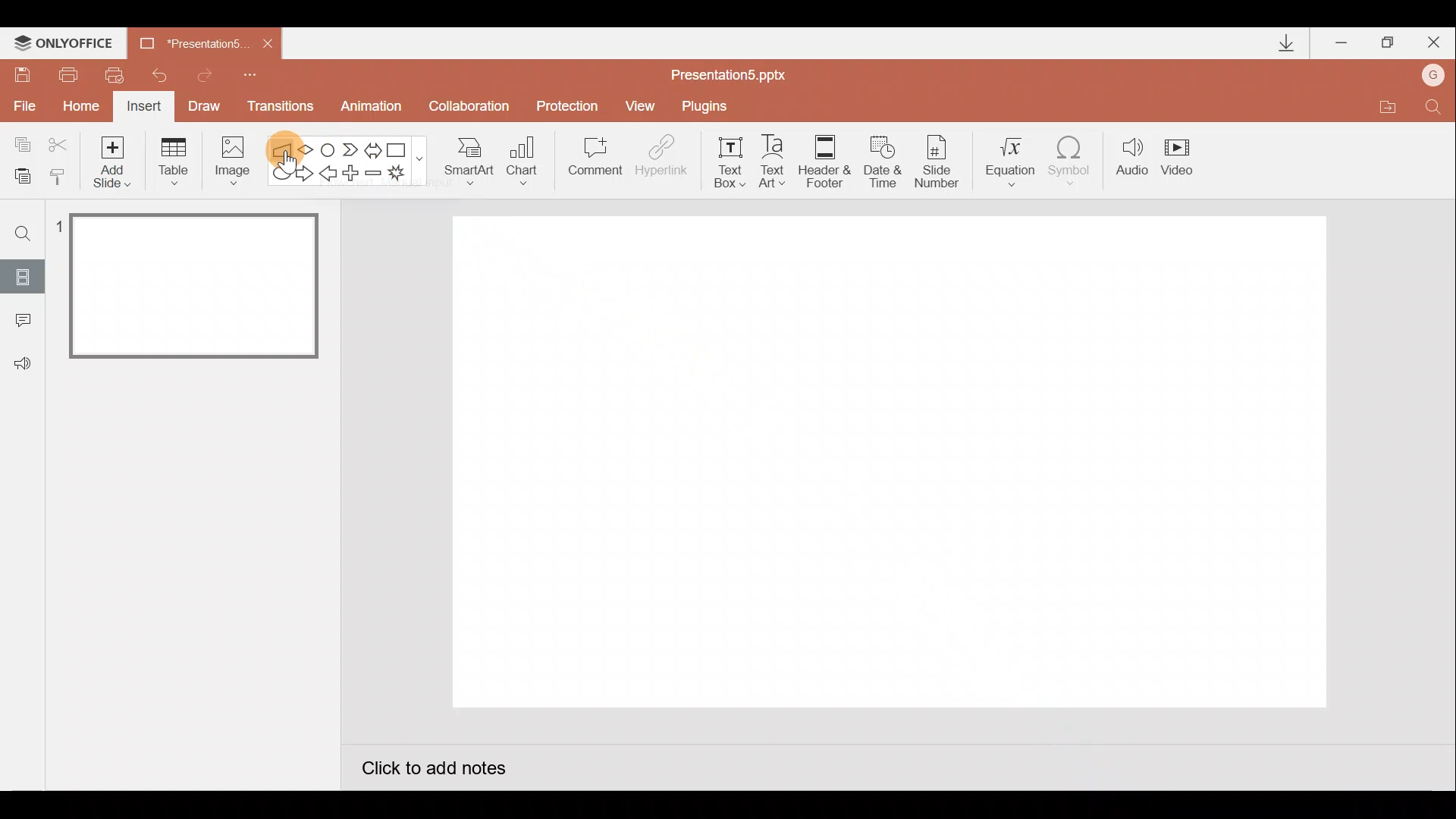 The height and width of the screenshot is (819, 1456). What do you see at coordinates (375, 176) in the screenshot?
I see `Minus` at bounding box center [375, 176].